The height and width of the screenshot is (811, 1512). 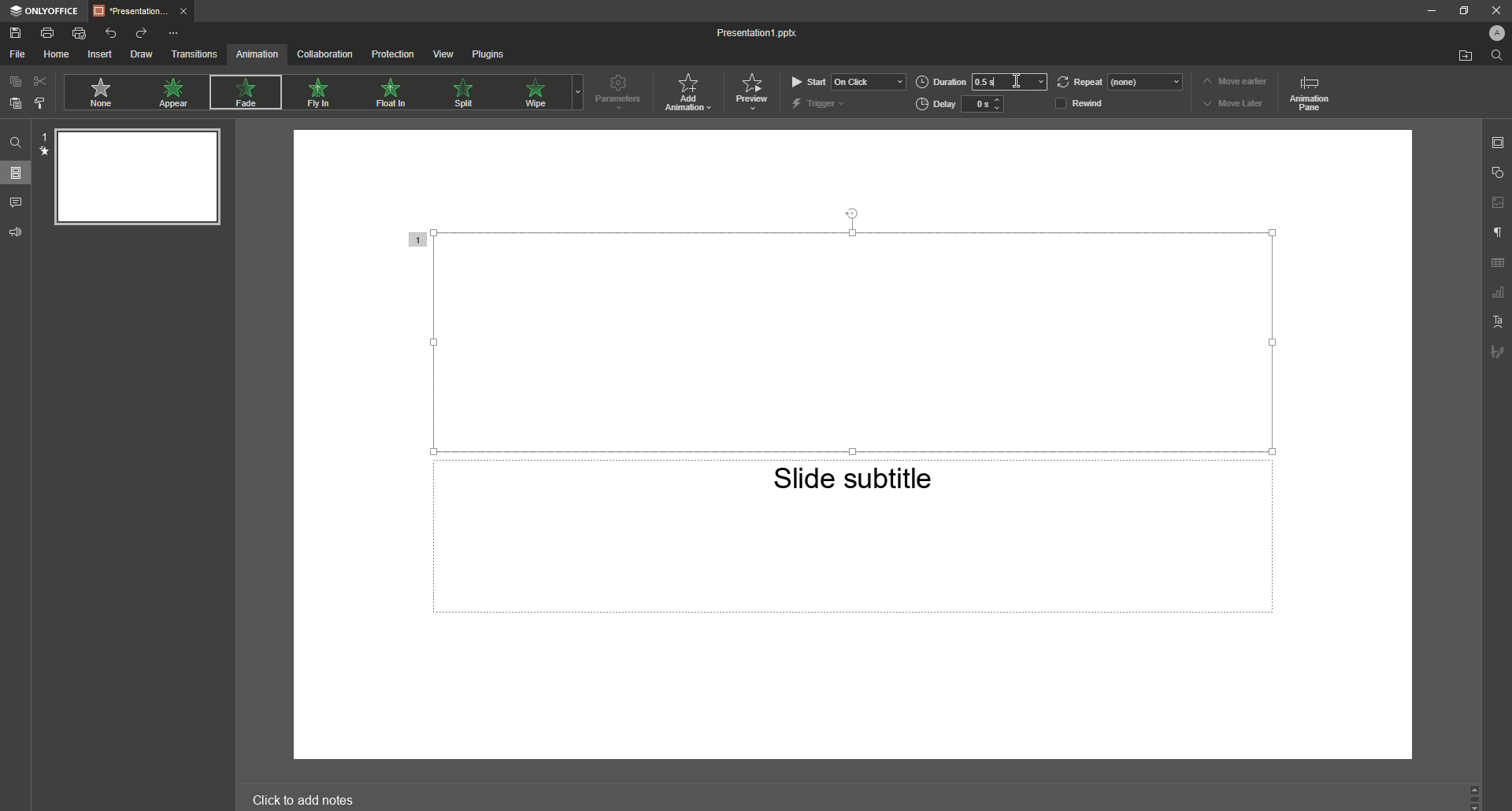 I want to click on Redo, so click(x=142, y=34).